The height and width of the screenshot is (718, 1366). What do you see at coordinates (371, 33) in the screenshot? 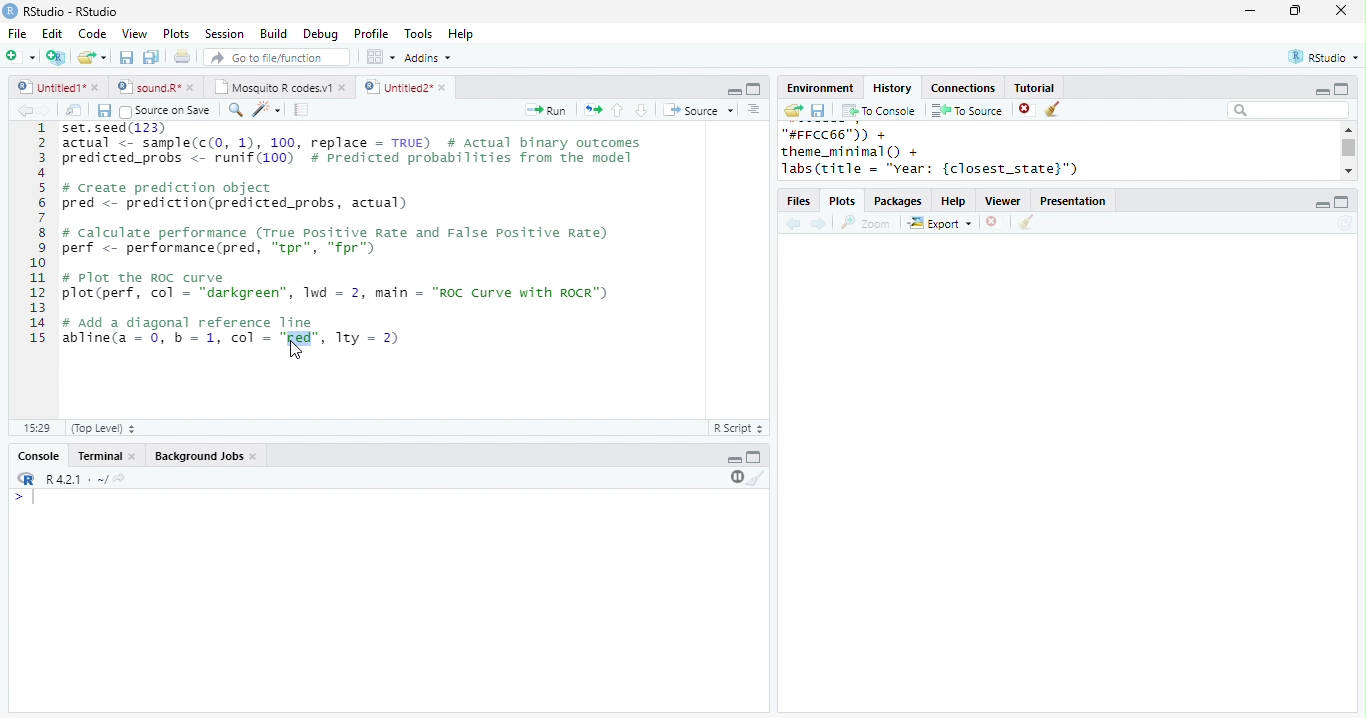
I see `Profile` at bounding box center [371, 33].